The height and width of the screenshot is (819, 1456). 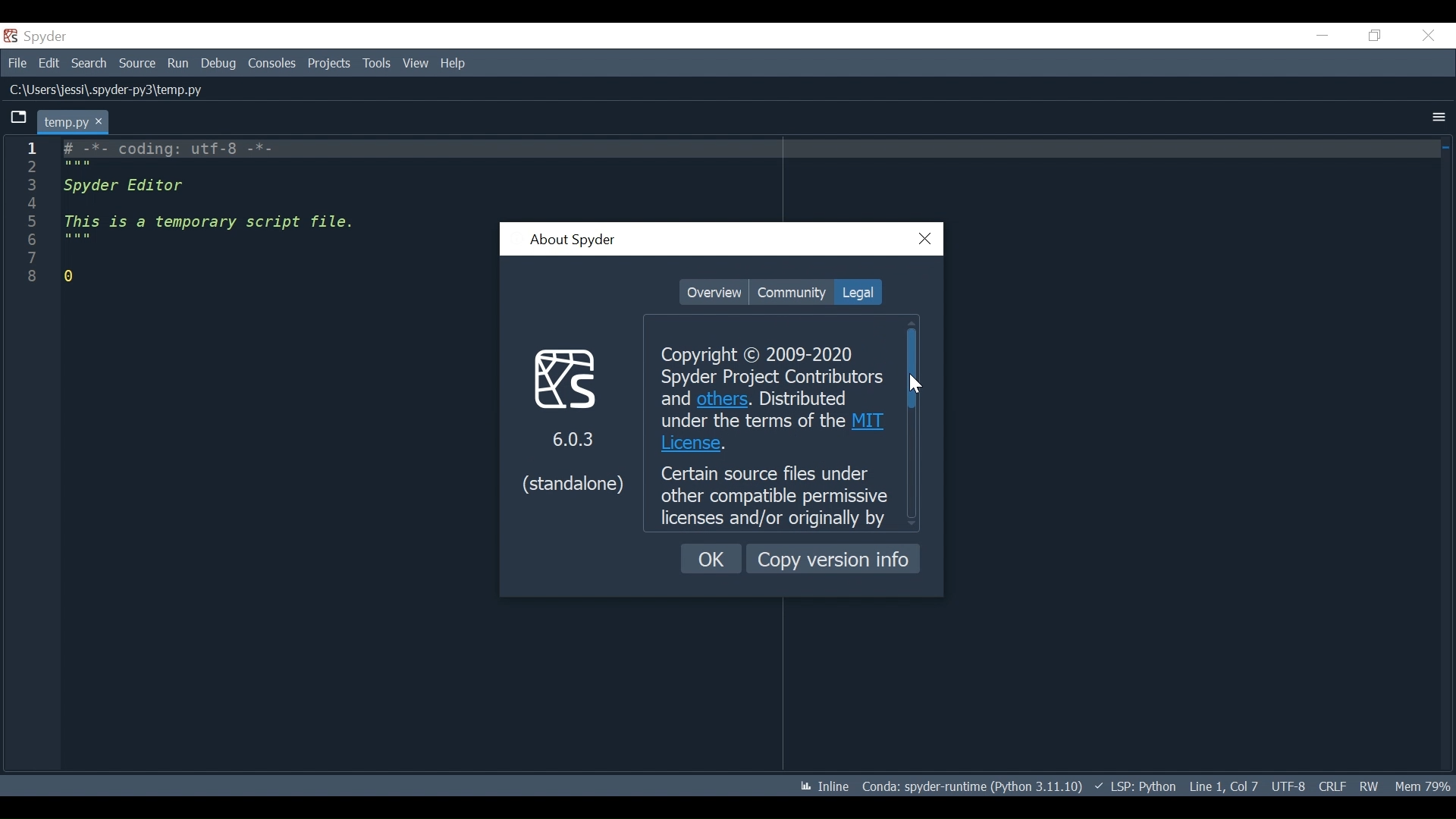 What do you see at coordinates (1376, 35) in the screenshot?
I see `Restore` at bounding box center [1376, 35].